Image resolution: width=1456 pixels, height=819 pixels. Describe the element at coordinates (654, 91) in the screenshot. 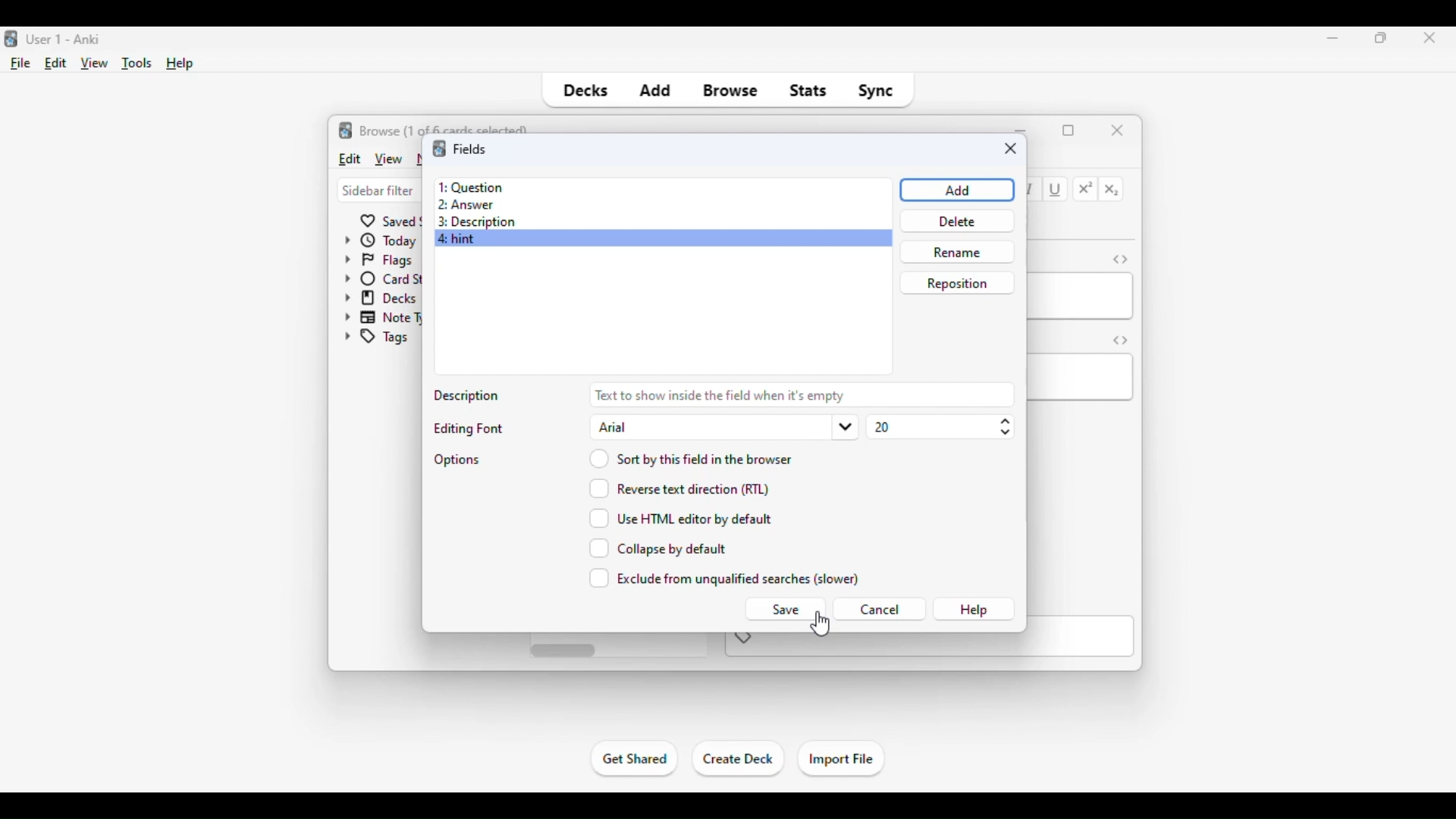

I see `add` at that location.